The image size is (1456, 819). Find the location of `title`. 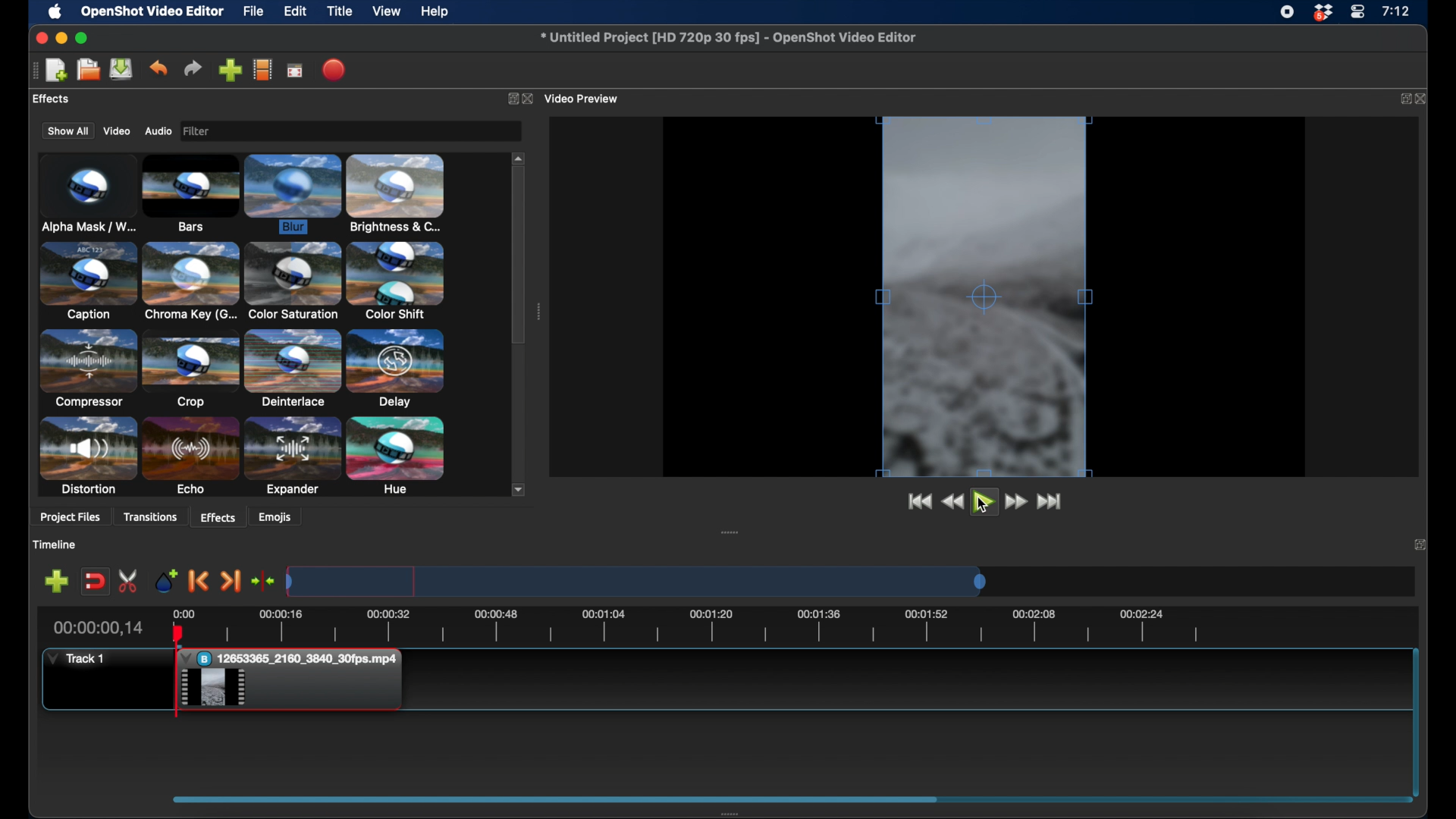

title is located at coordinates (340, 11).